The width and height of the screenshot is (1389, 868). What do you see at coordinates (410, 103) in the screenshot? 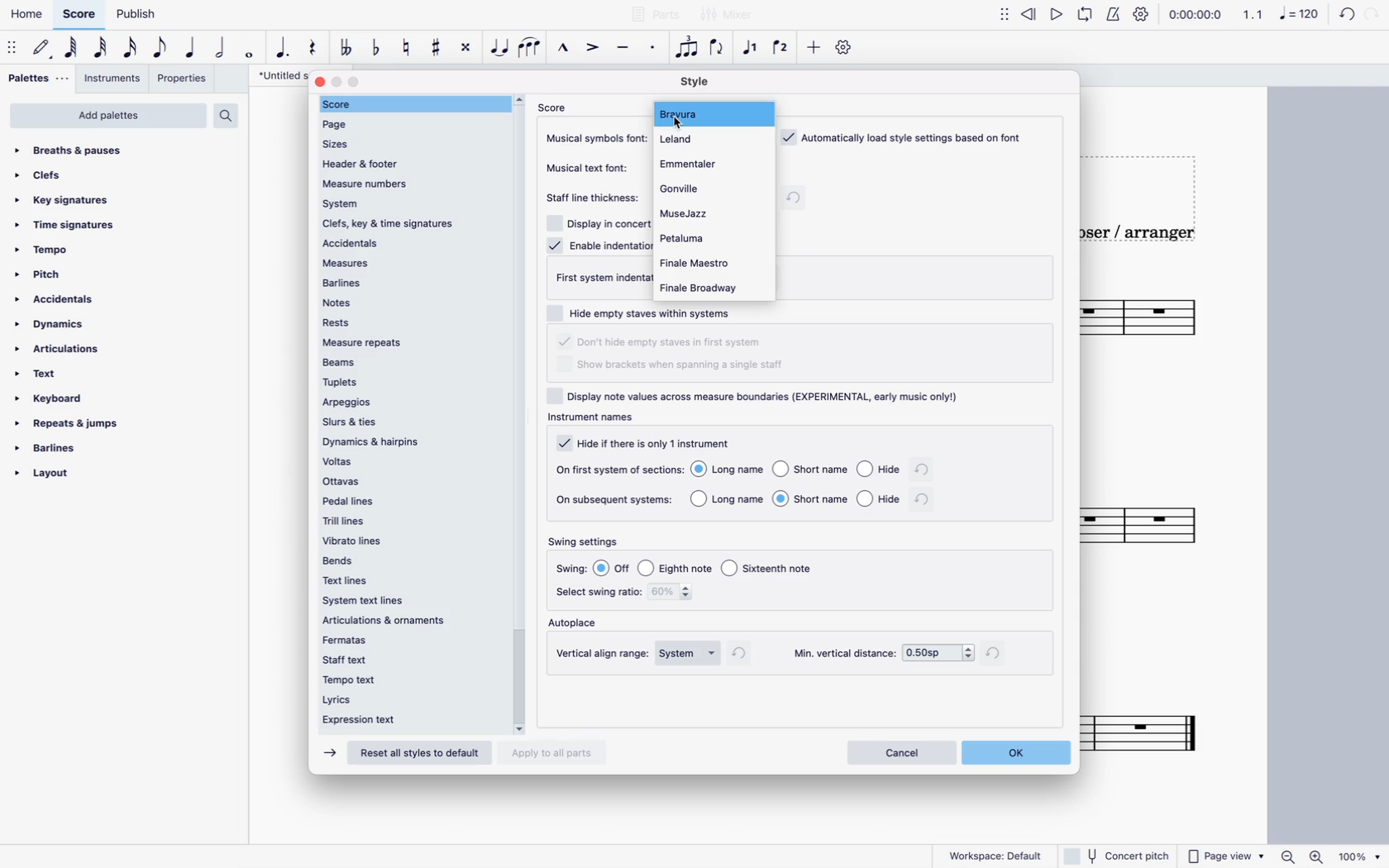
I see `score` at bounding box center [410, 103].